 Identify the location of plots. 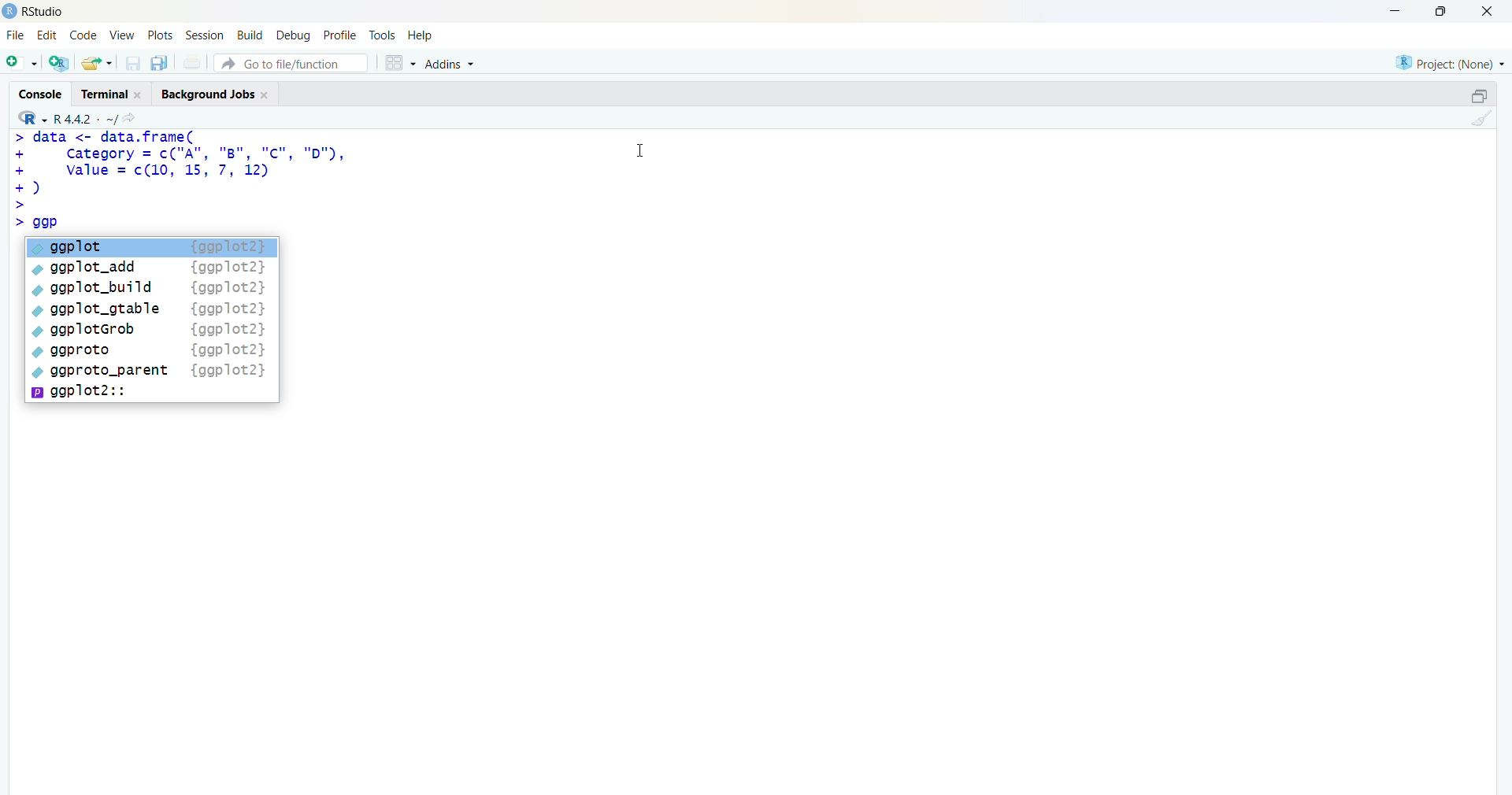
(162, 35).